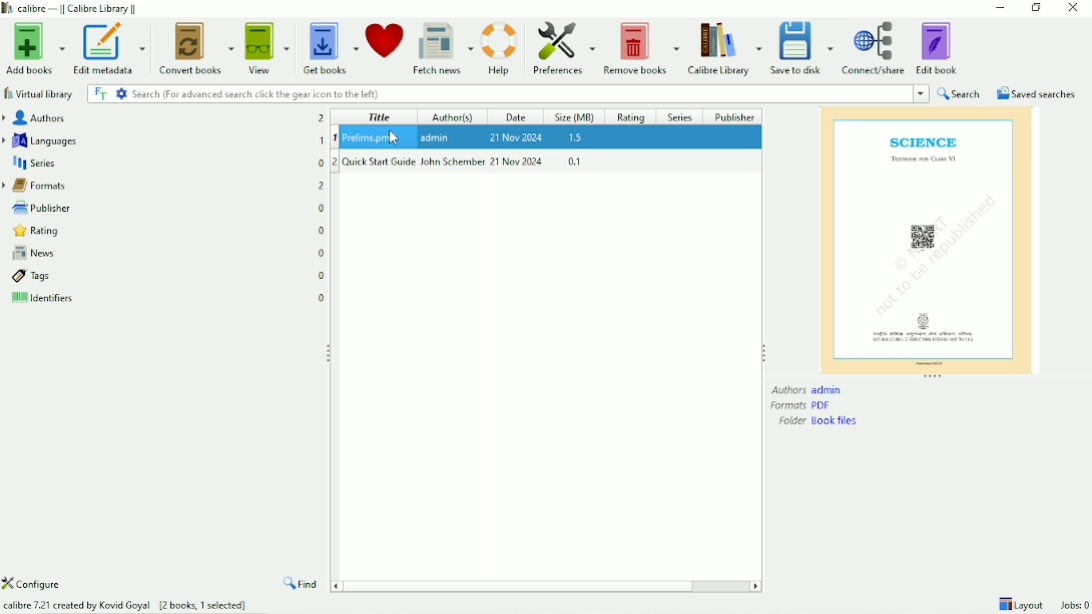 The width and height of the screenshot is (1092, 614). Describe the element at coordinates (8, 9) in the screenshot. I see `logo` at that location.